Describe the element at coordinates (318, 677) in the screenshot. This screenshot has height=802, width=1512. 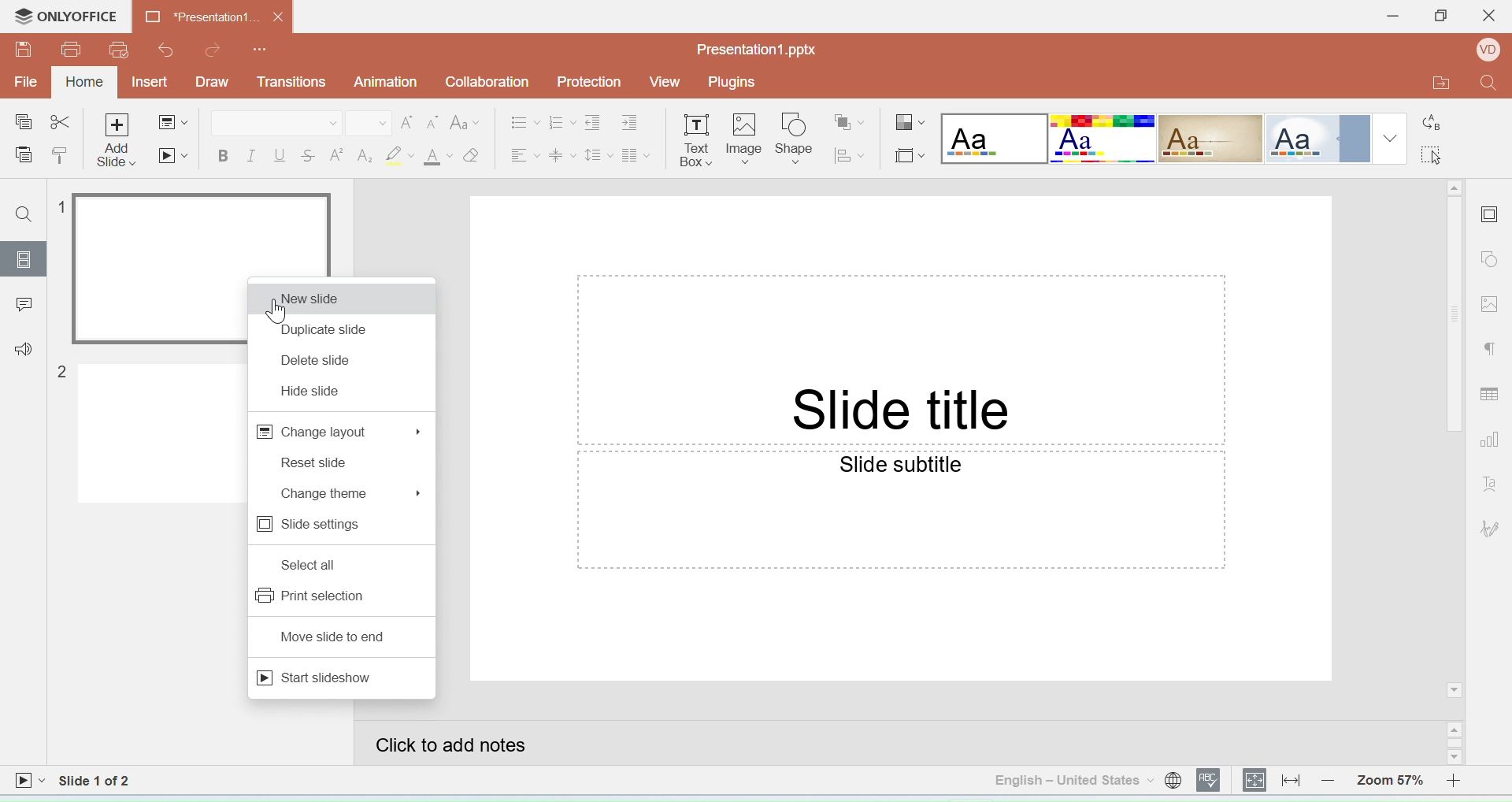
I see `start slideshow` at that location.